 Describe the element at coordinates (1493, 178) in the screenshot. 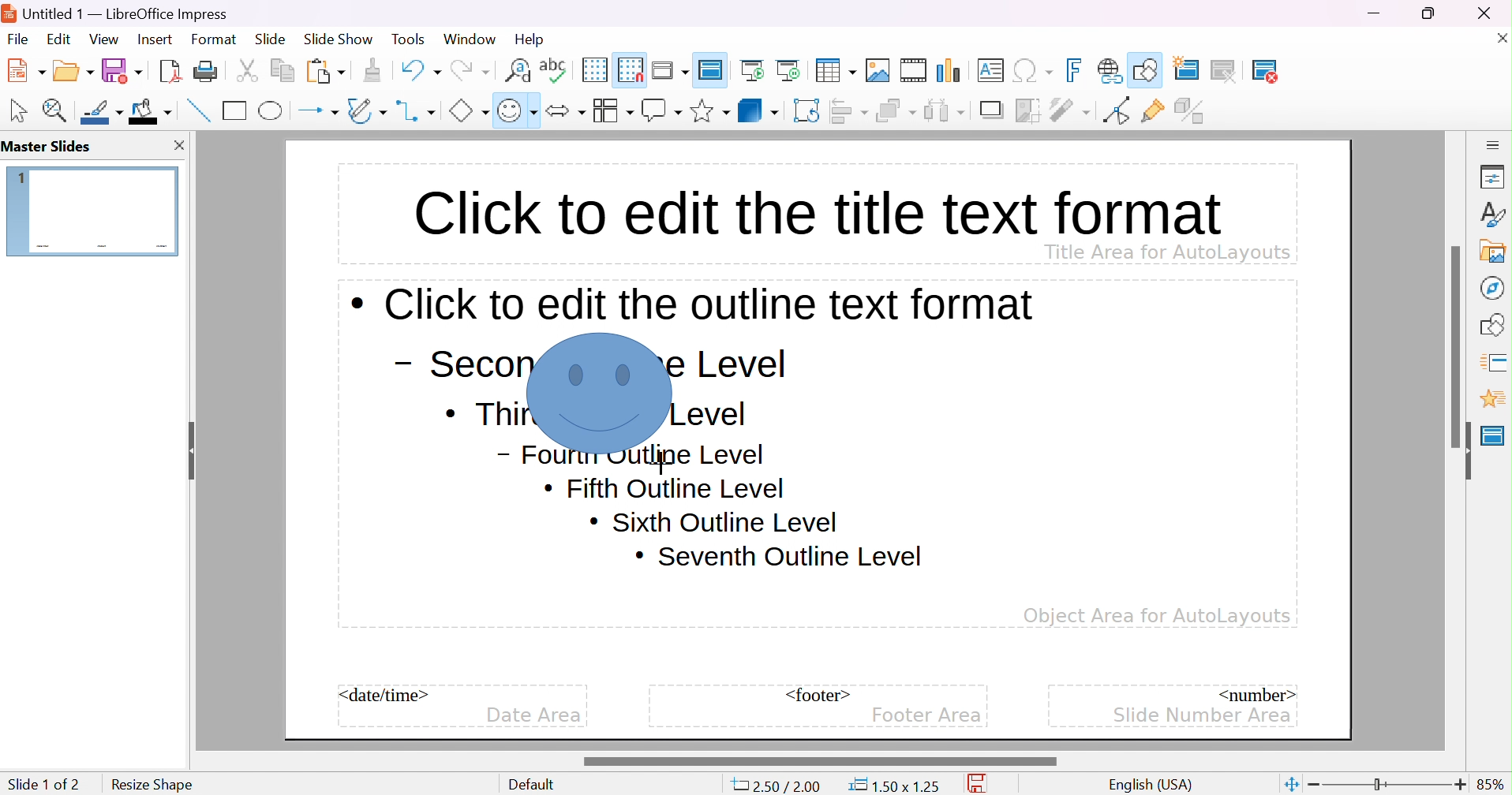

I see `properties` at that location.